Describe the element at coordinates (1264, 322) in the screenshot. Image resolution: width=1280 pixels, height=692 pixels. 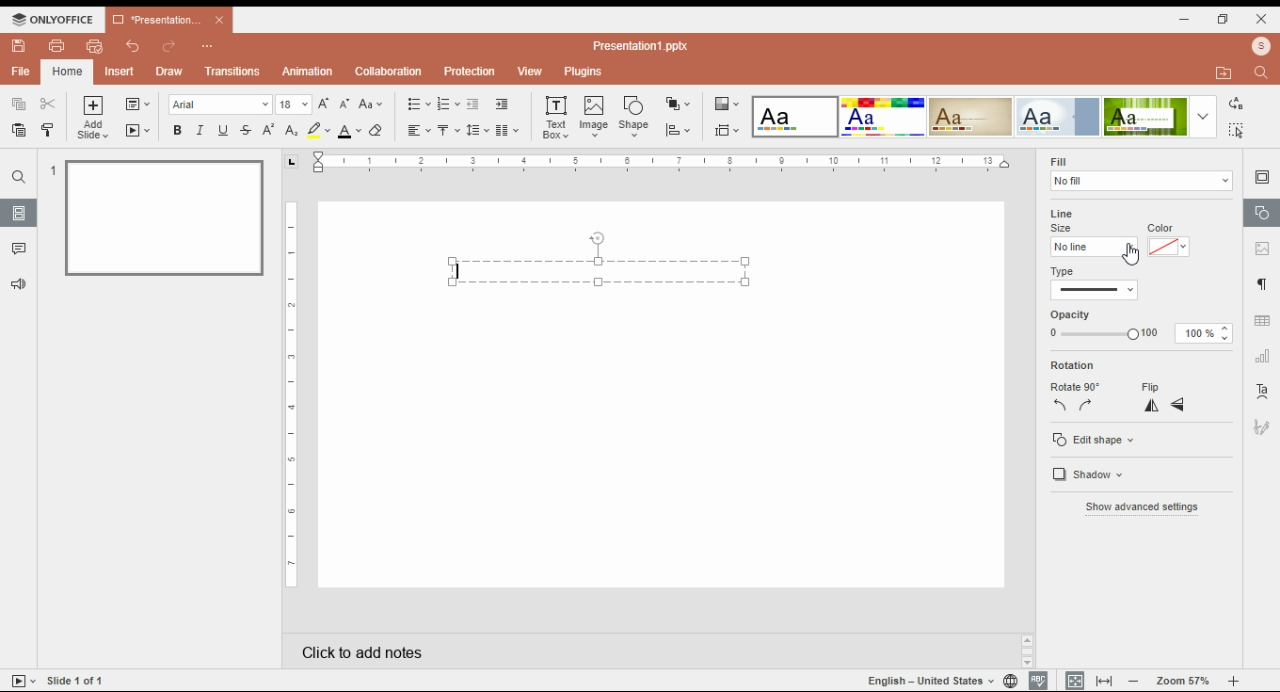
I see `table settings` at that location.